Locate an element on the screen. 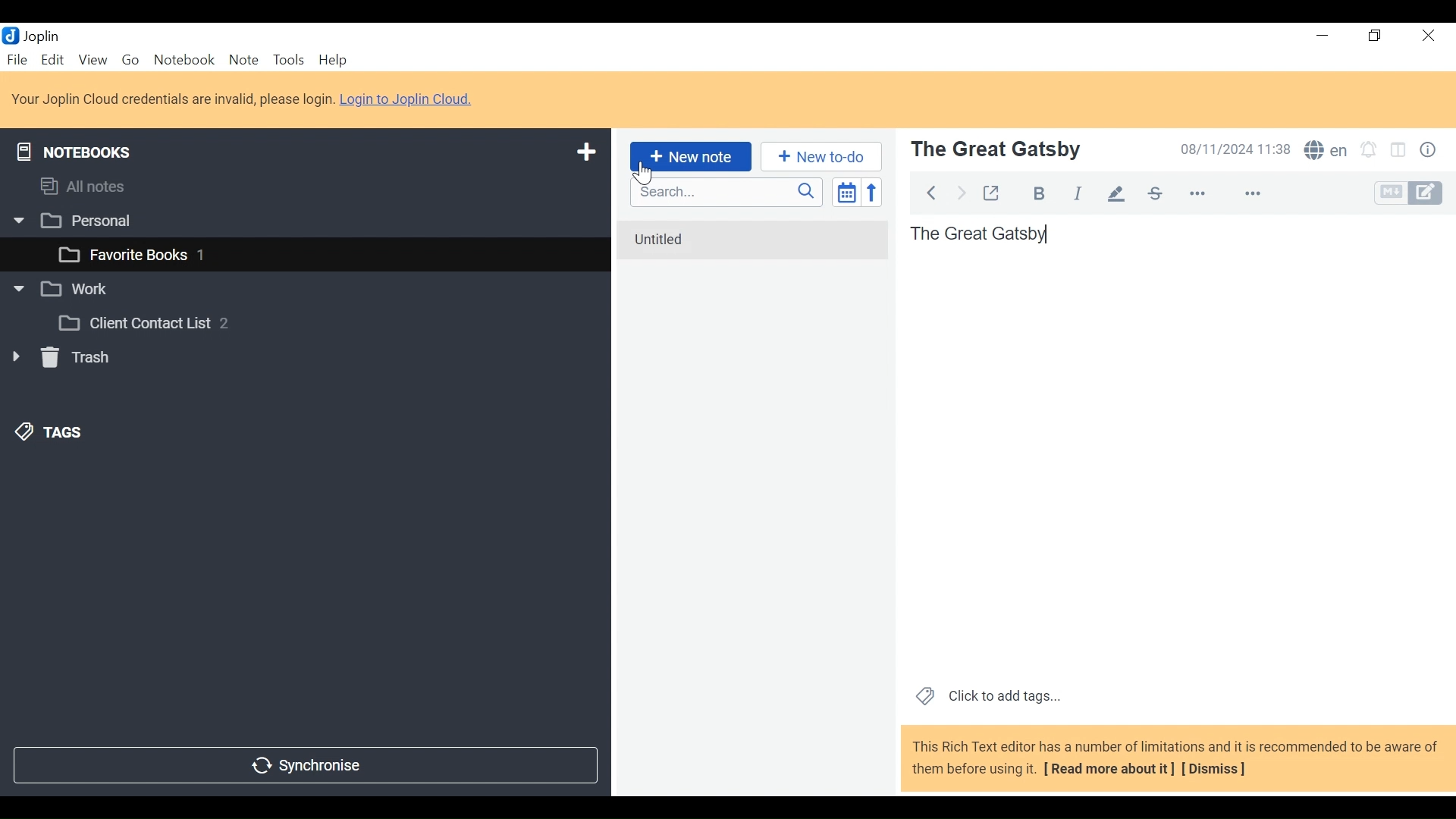  more is located at coordinates (1232, 195).